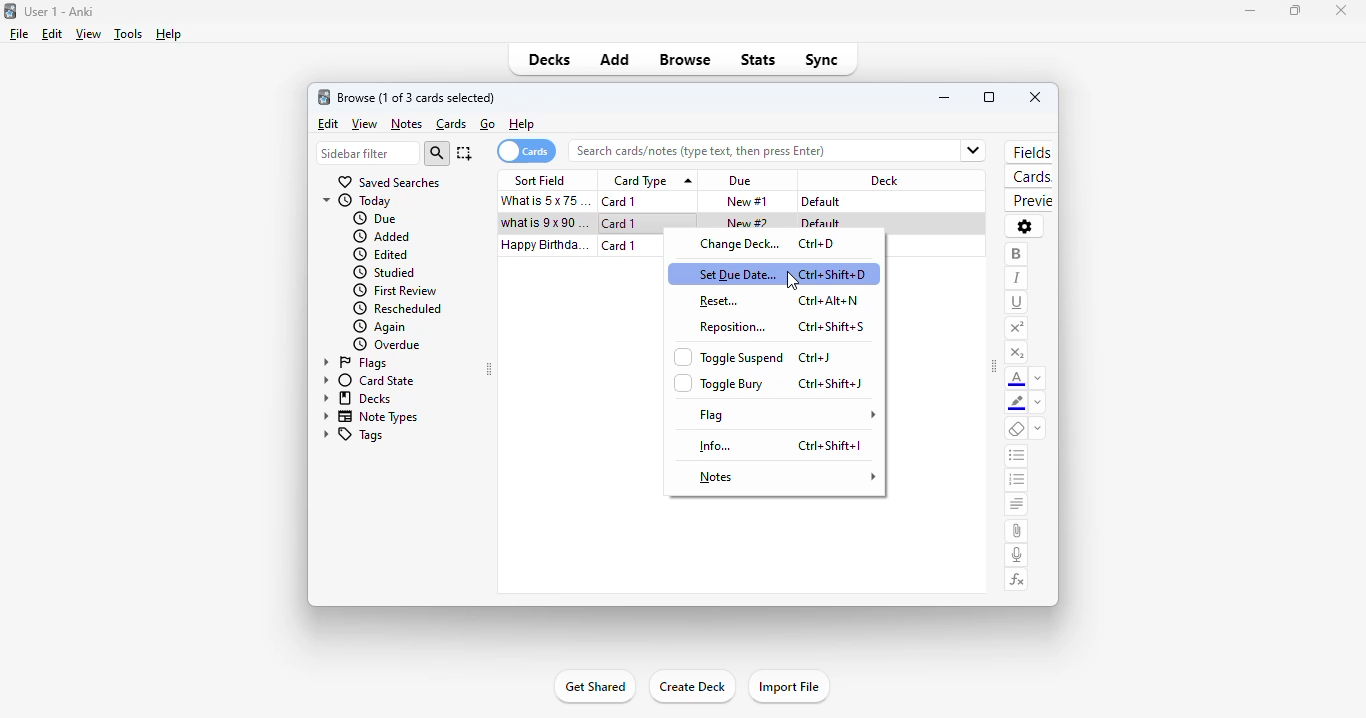 This screenshot has width=1366, height=718. Describe the element at coordinates (755, 150) in the screenshot. I see `search bar` at that location.